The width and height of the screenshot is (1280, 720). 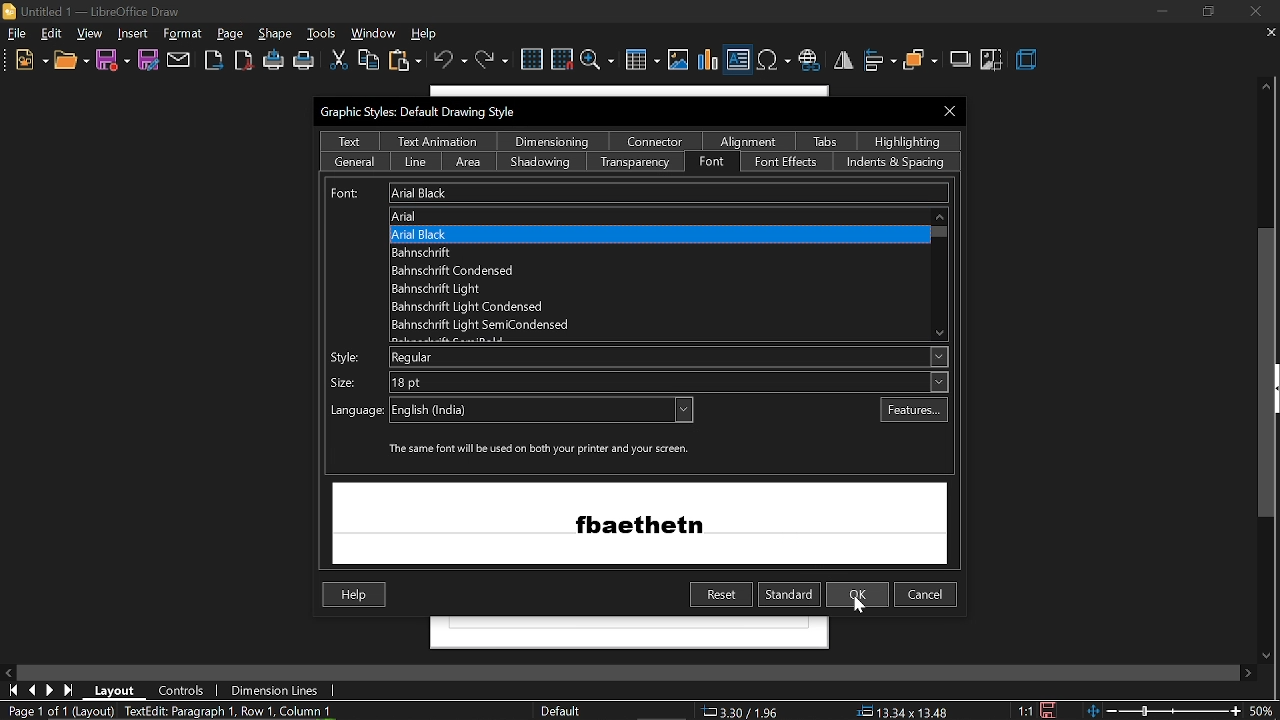 What do you see at coordinates (214, 59) in the screenshot?
I see `Export` at bounding box center [214, 59].